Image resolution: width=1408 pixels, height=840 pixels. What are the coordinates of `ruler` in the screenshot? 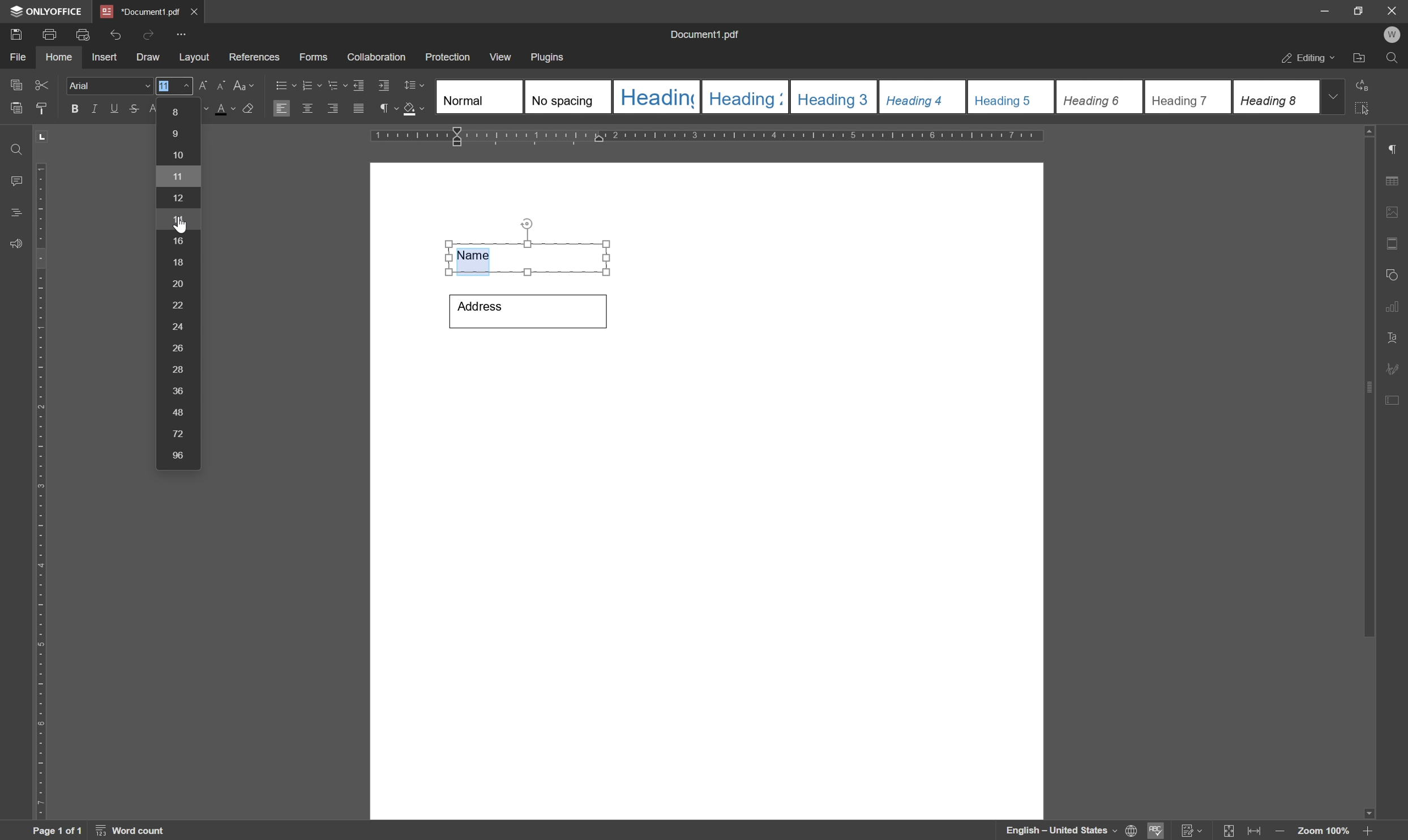 It's located at (712, 137).